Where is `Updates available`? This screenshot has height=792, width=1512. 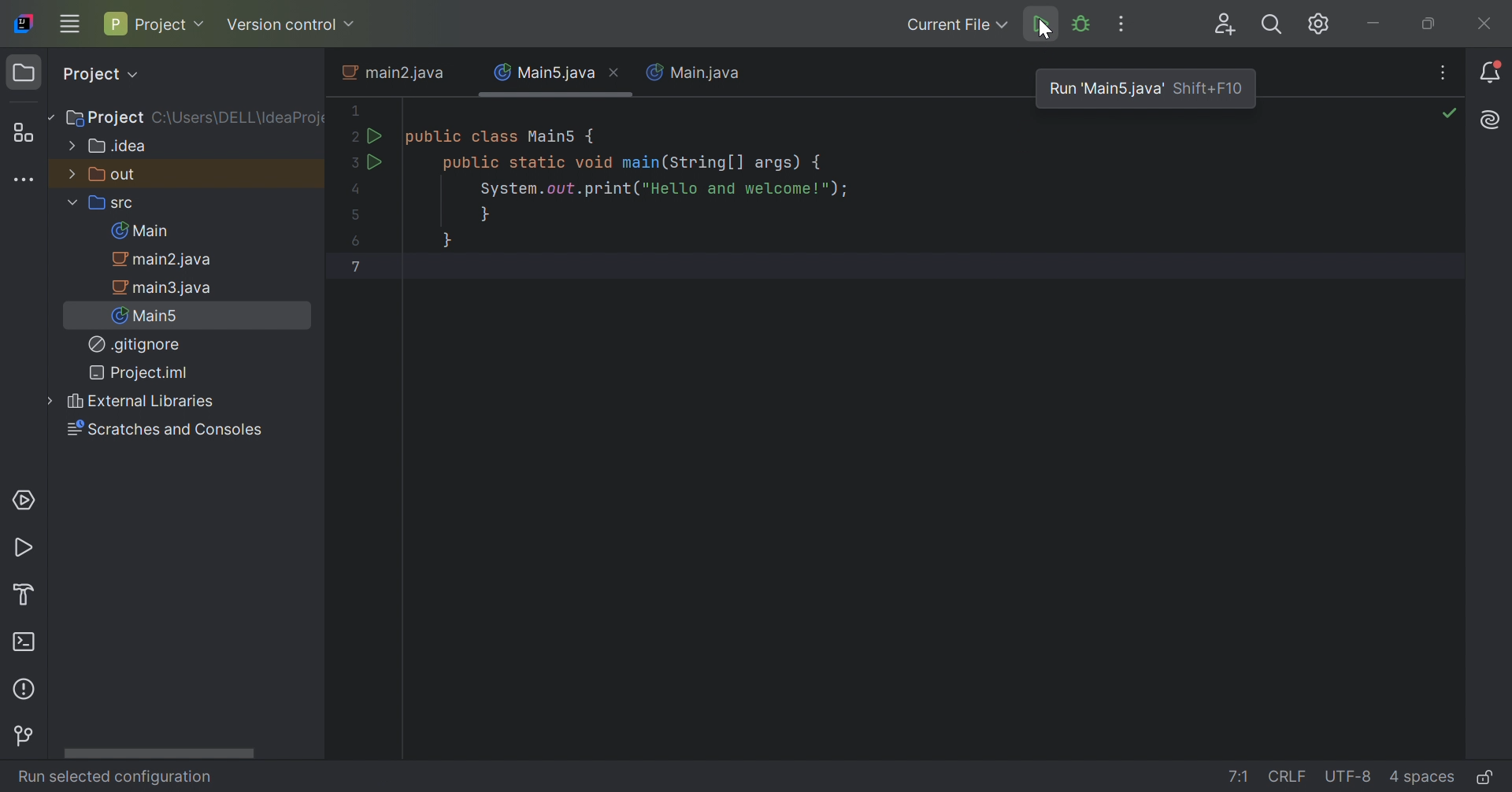
Updates available is located at coordinates (1319, 24).